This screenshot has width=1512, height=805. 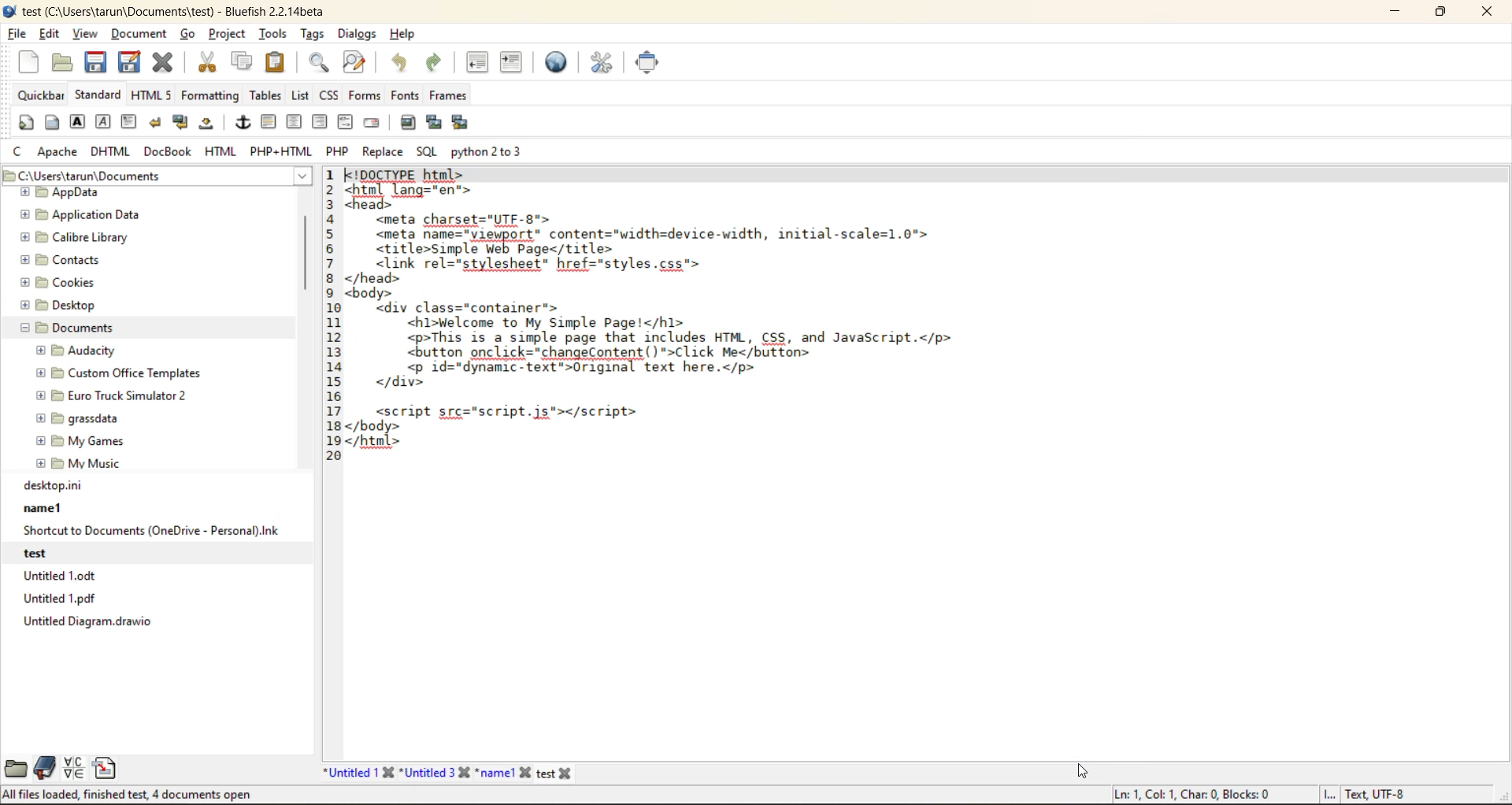 I want to click on html, so click(x=221, y=153).